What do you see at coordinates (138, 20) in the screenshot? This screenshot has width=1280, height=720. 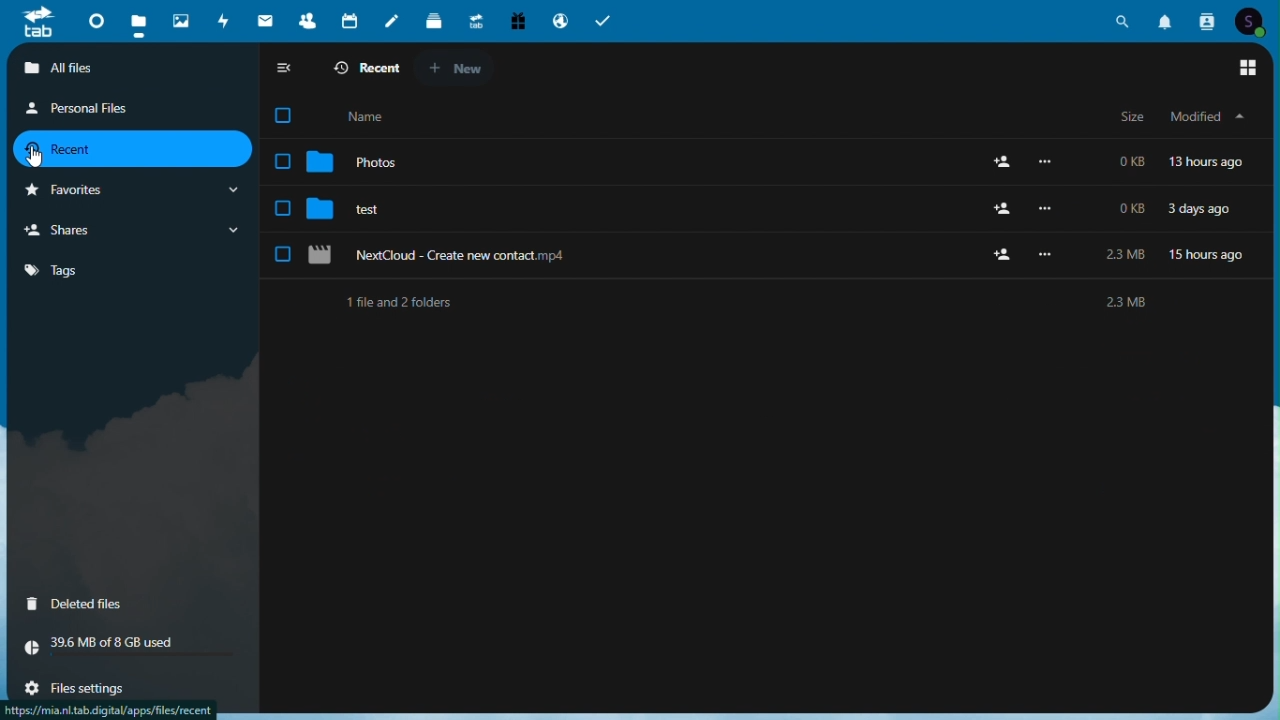 I see `files` at bounding box center [138, 20].